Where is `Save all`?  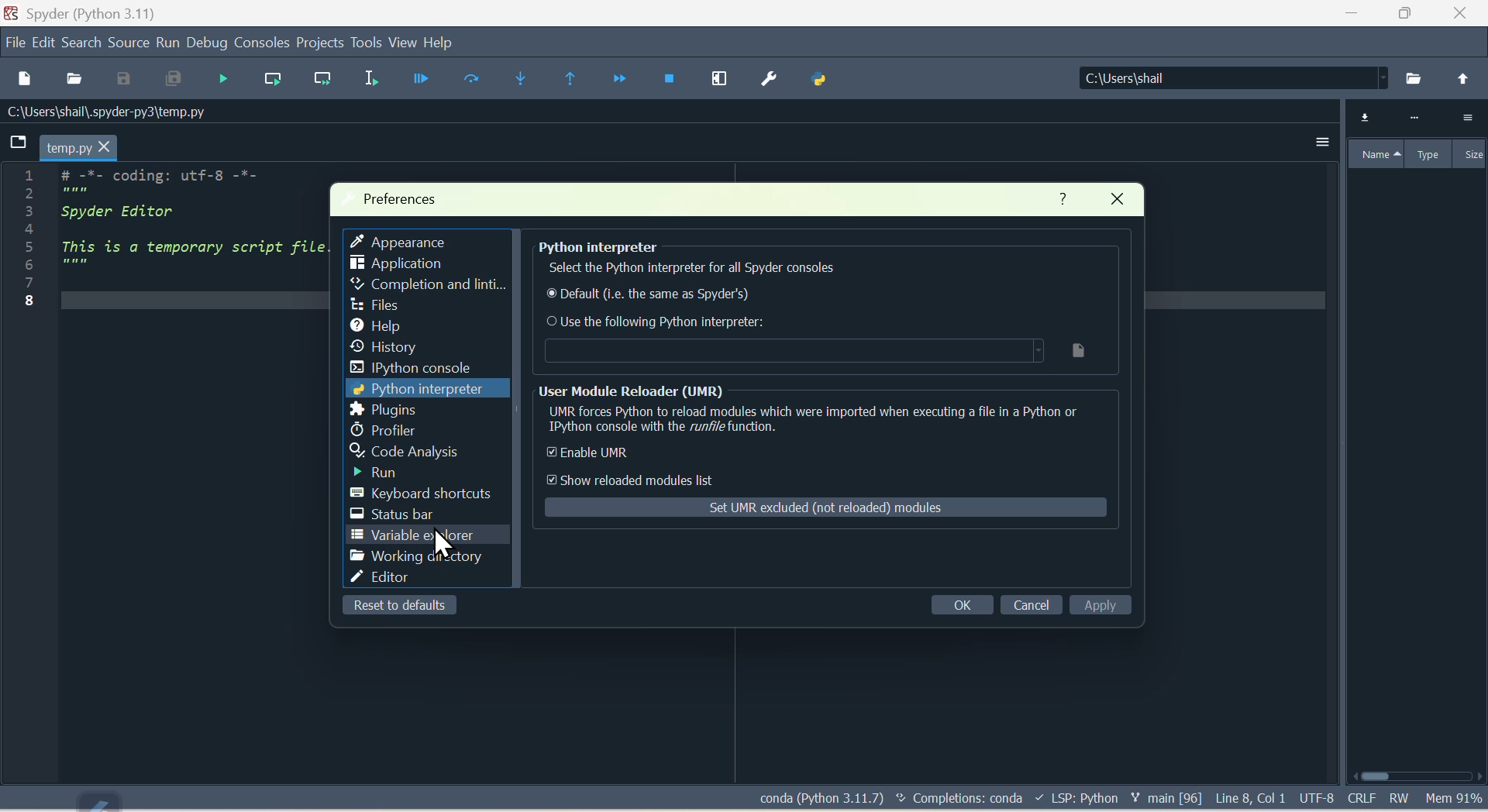 Save all is located at coordinates (170, 80).